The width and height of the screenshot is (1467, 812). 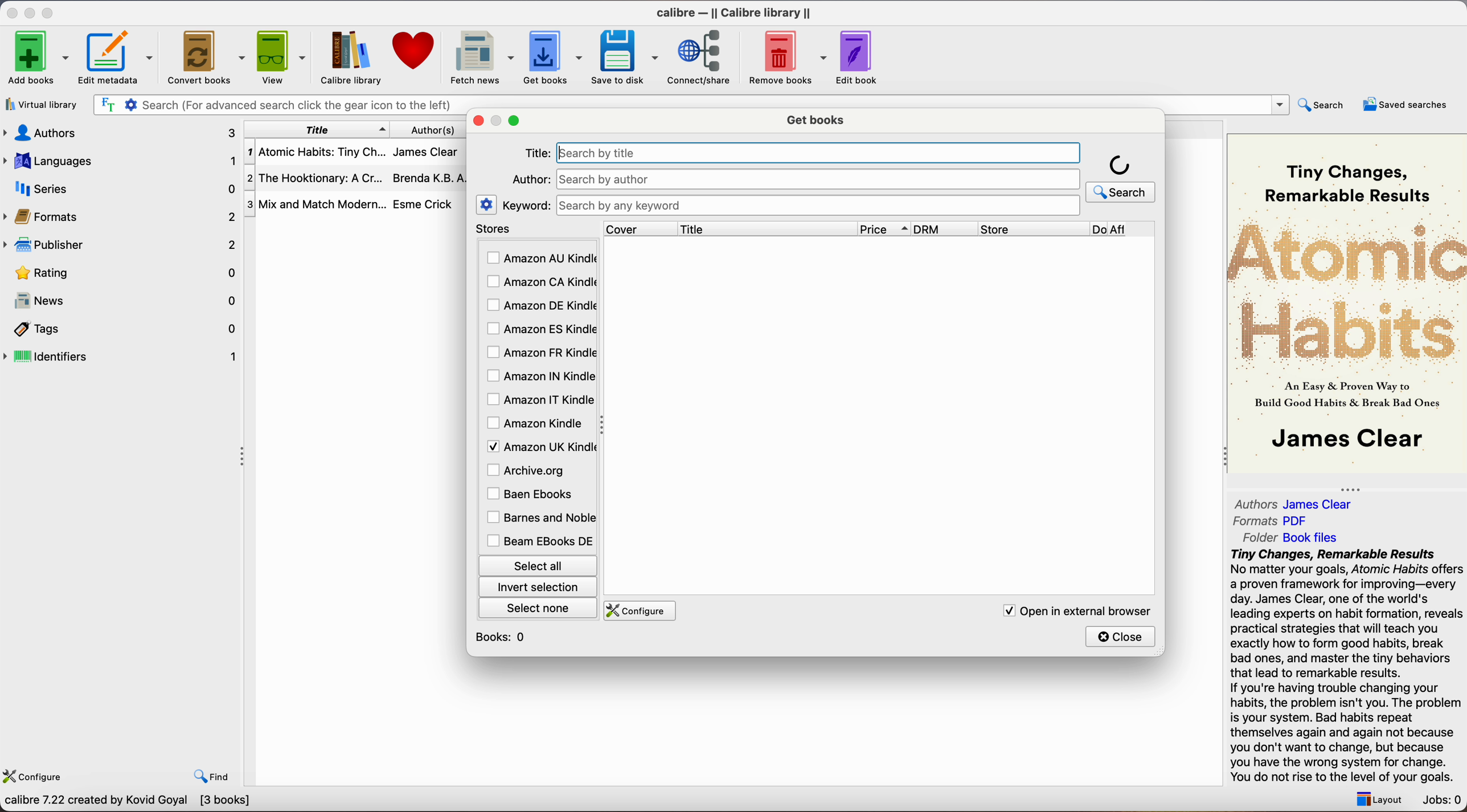 I want to click on find, so click(x=212, y=776).